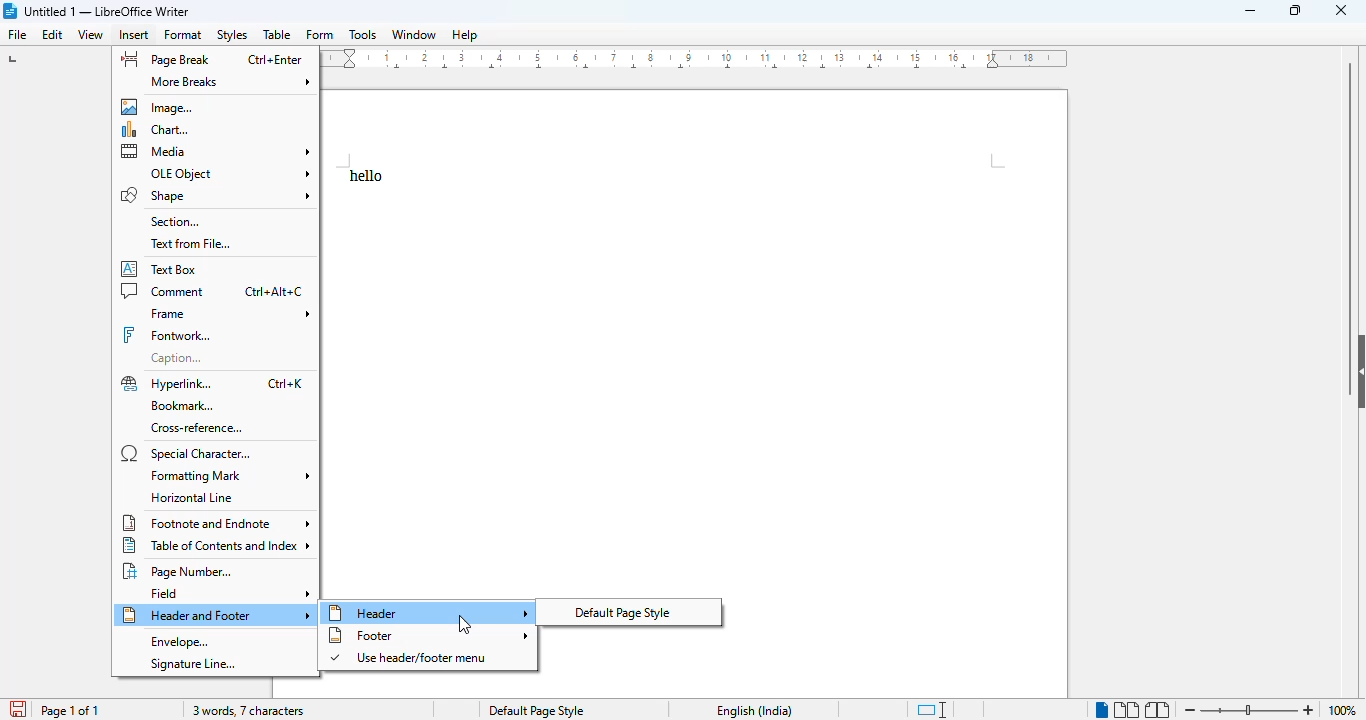 Image resolution: width=1366 pixels, height=720 pixels. Describe the element at coordinates (366, 176) in the screenshot. I see `text` at that location.